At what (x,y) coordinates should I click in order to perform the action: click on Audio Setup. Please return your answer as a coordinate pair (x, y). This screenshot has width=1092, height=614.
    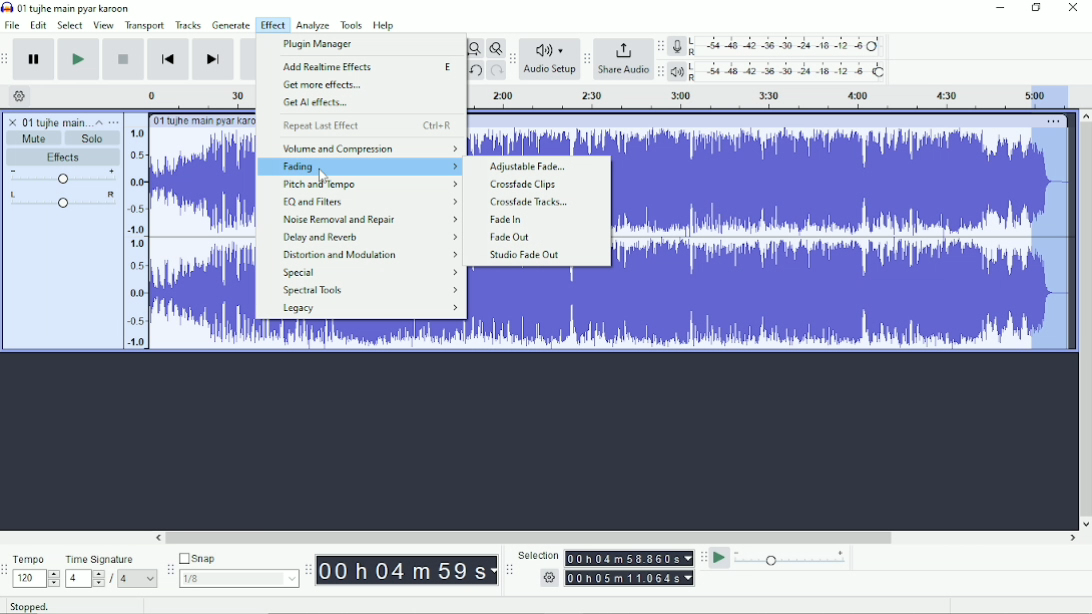
    Looking at the image, I should click on (550, 59).